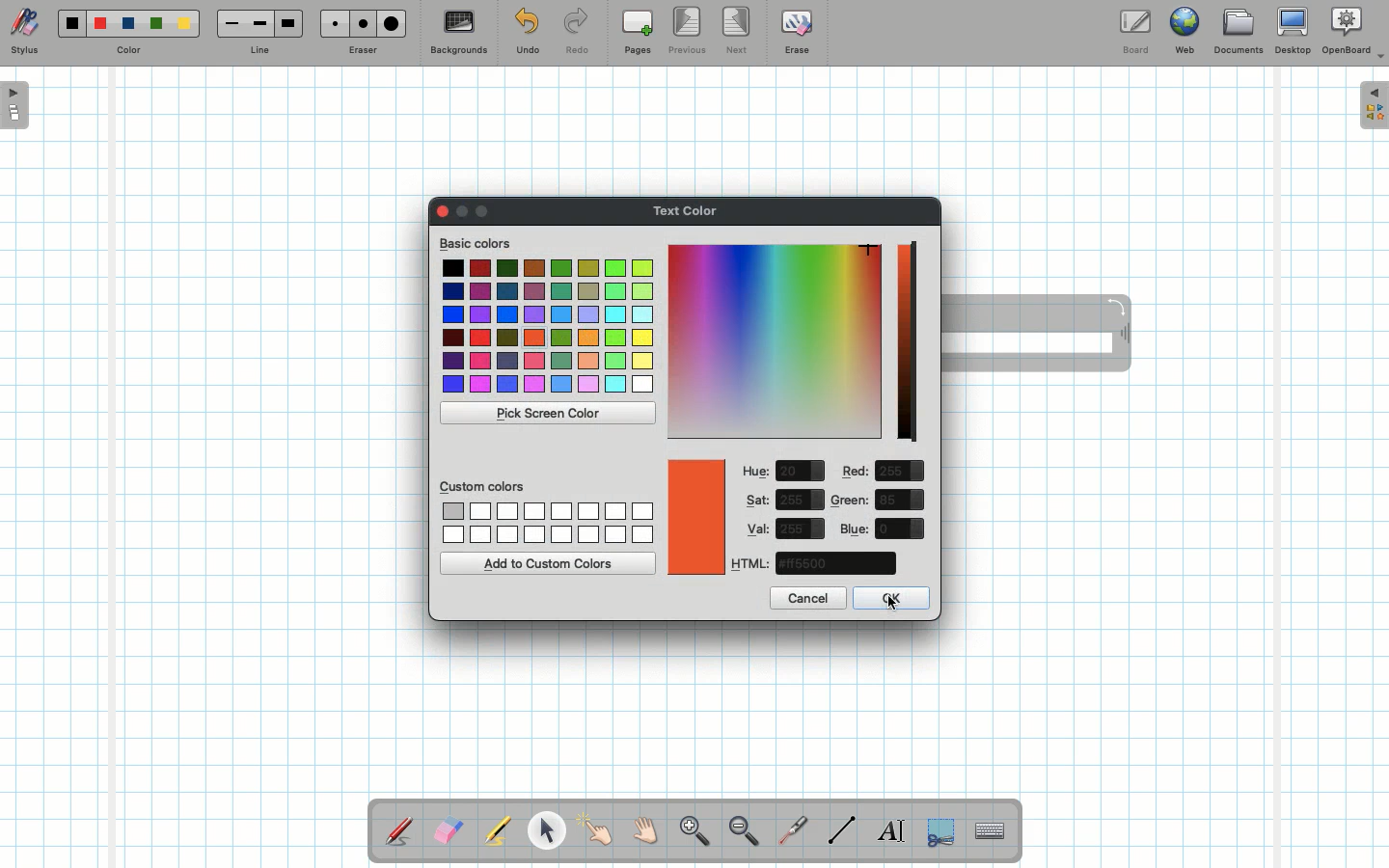  I want to click on Color picked, so click(695, 517).